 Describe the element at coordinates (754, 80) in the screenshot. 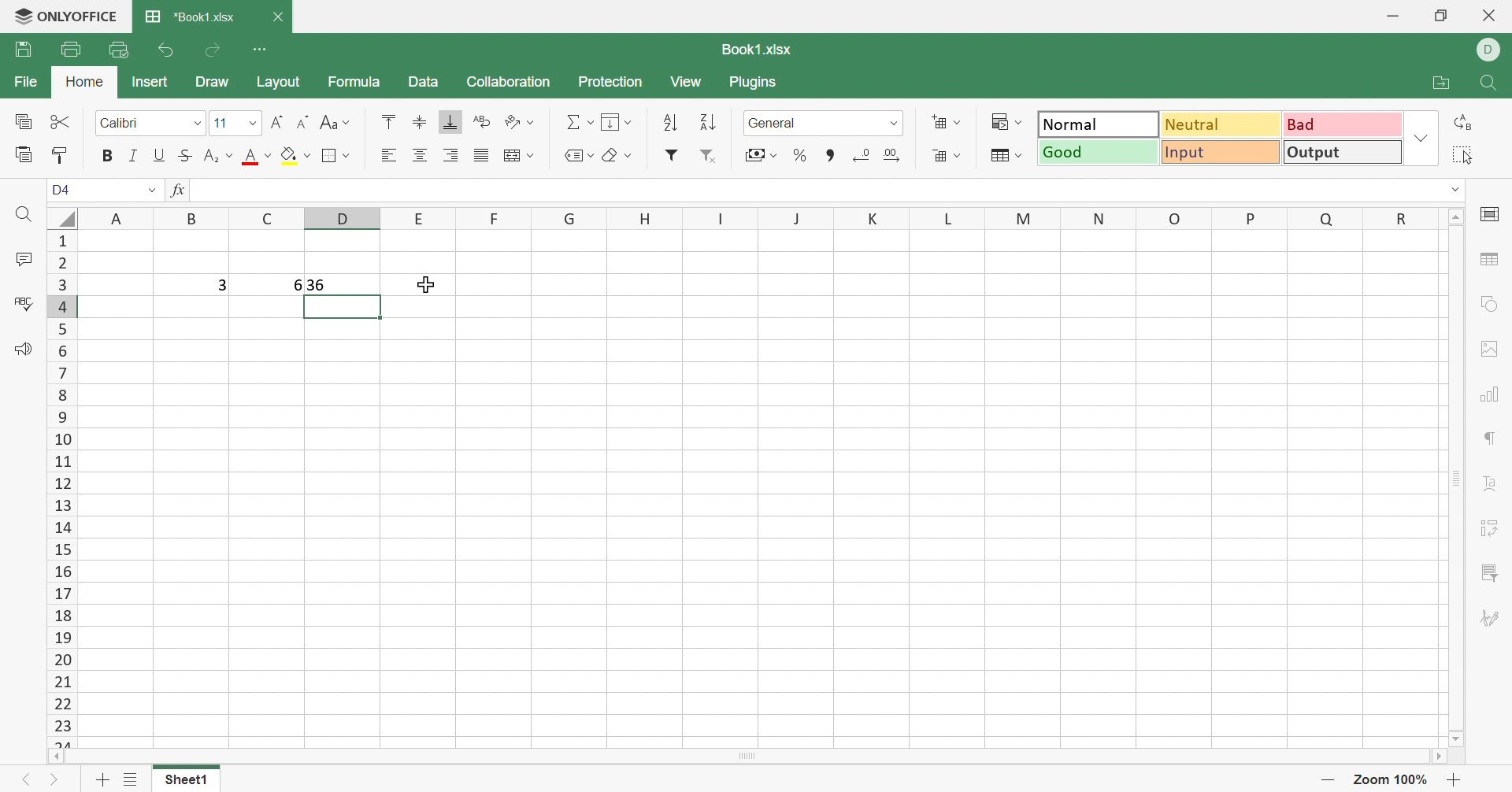

I see `Plugins` at that location.